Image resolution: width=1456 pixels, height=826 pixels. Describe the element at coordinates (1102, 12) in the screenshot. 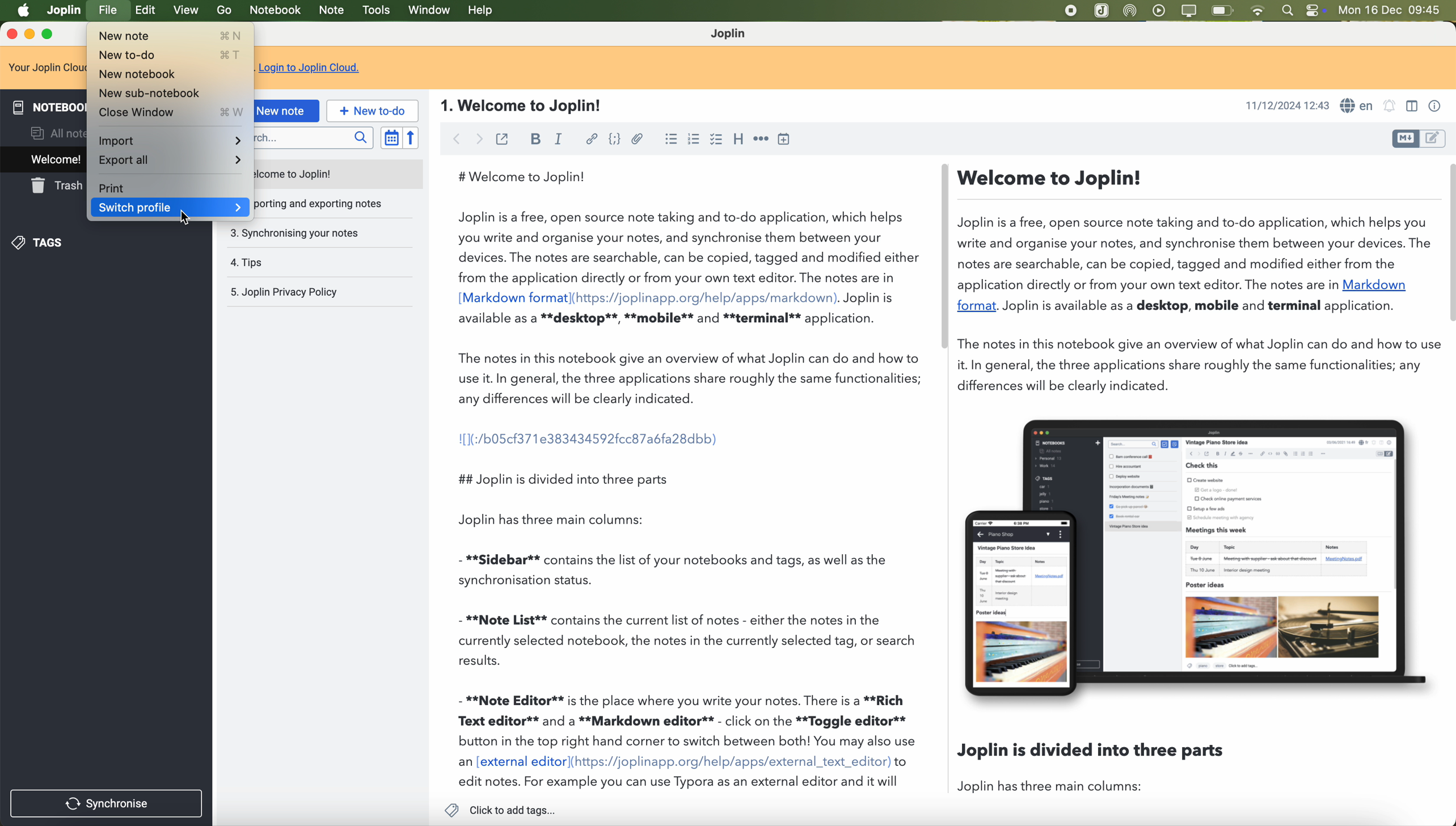

I see `Joplin app` at that location.